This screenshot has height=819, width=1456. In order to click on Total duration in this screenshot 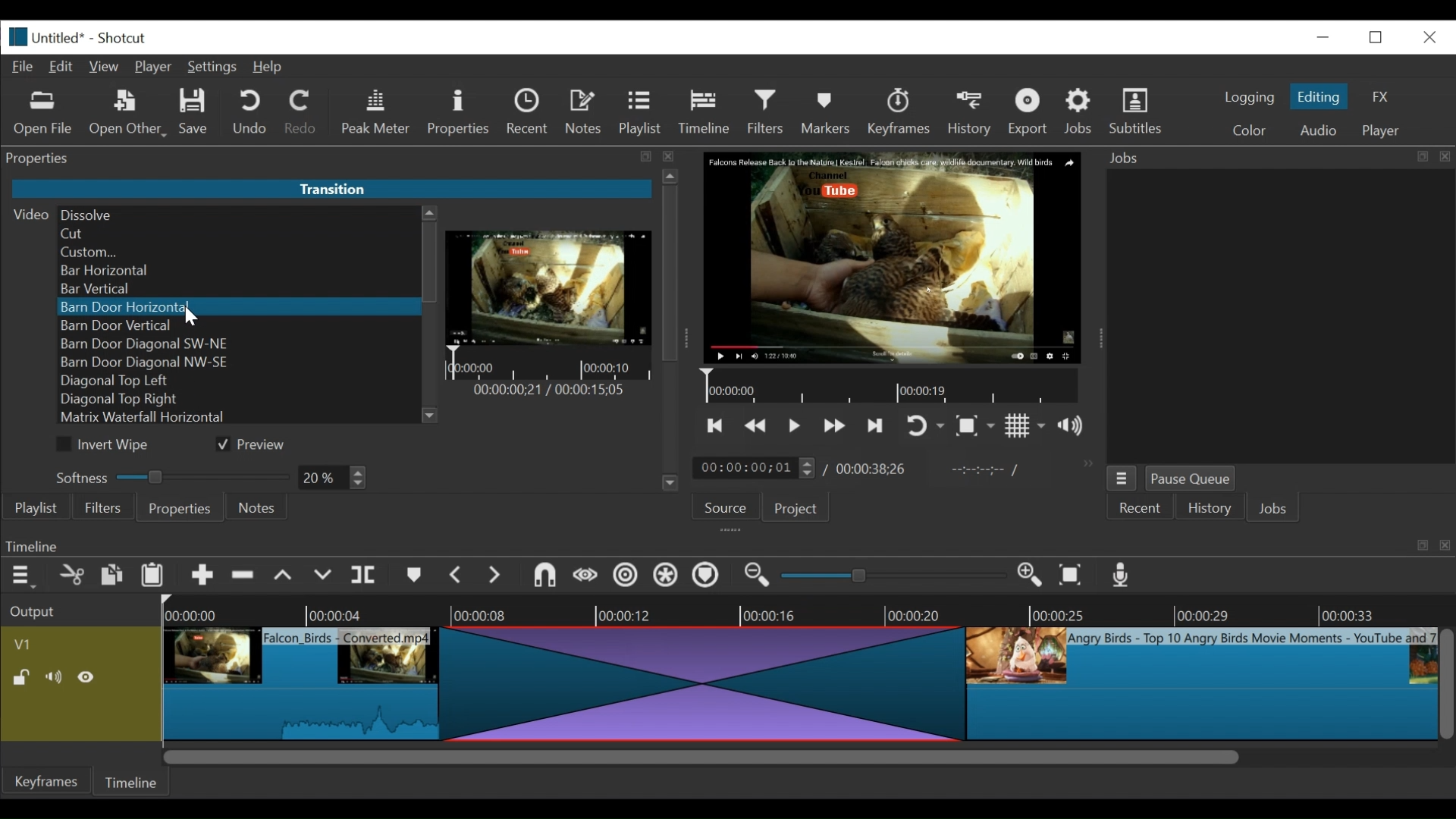, I will do `click(876, 469)`.